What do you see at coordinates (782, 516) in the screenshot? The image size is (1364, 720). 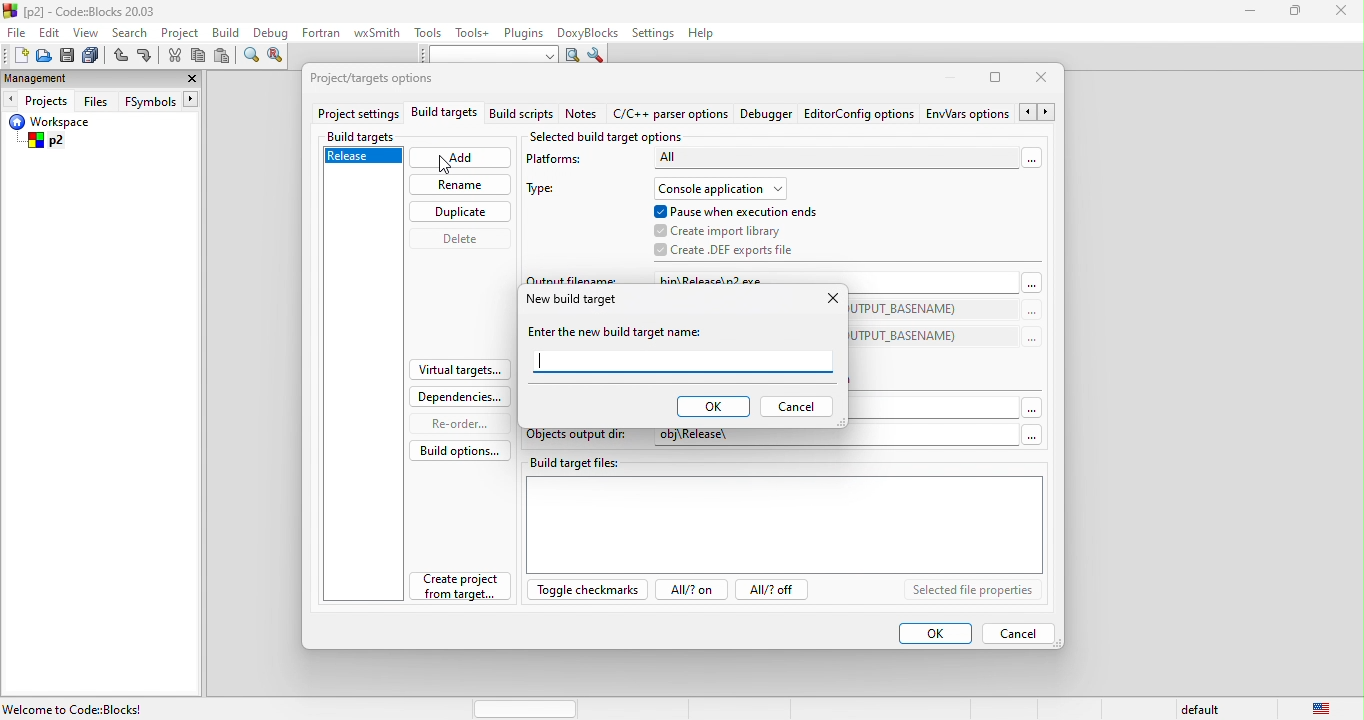 I see `build target file` at bounding box center [782, 516].